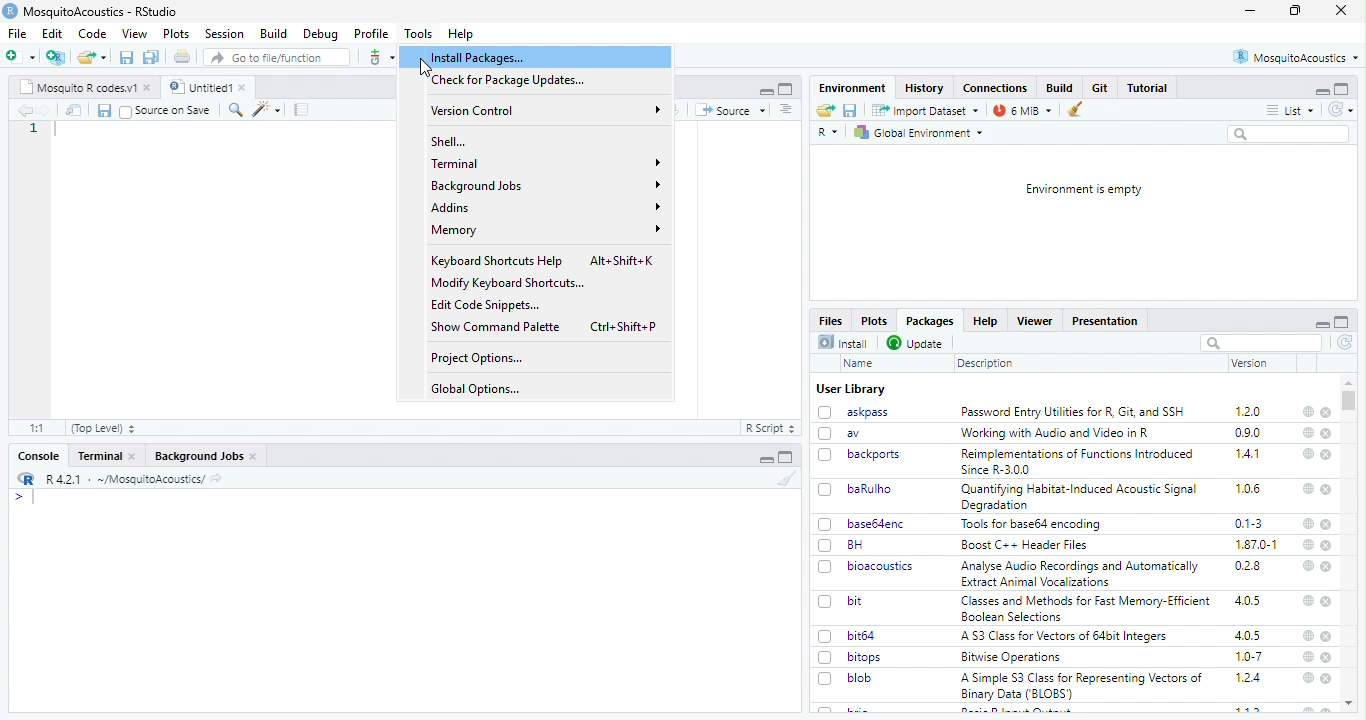 Image resolution: width=1366 pixels, height=720 pixels. What do you see at coordinates (127, 58) in the screenshot?
I see `save` at bounding box center [127, 58].